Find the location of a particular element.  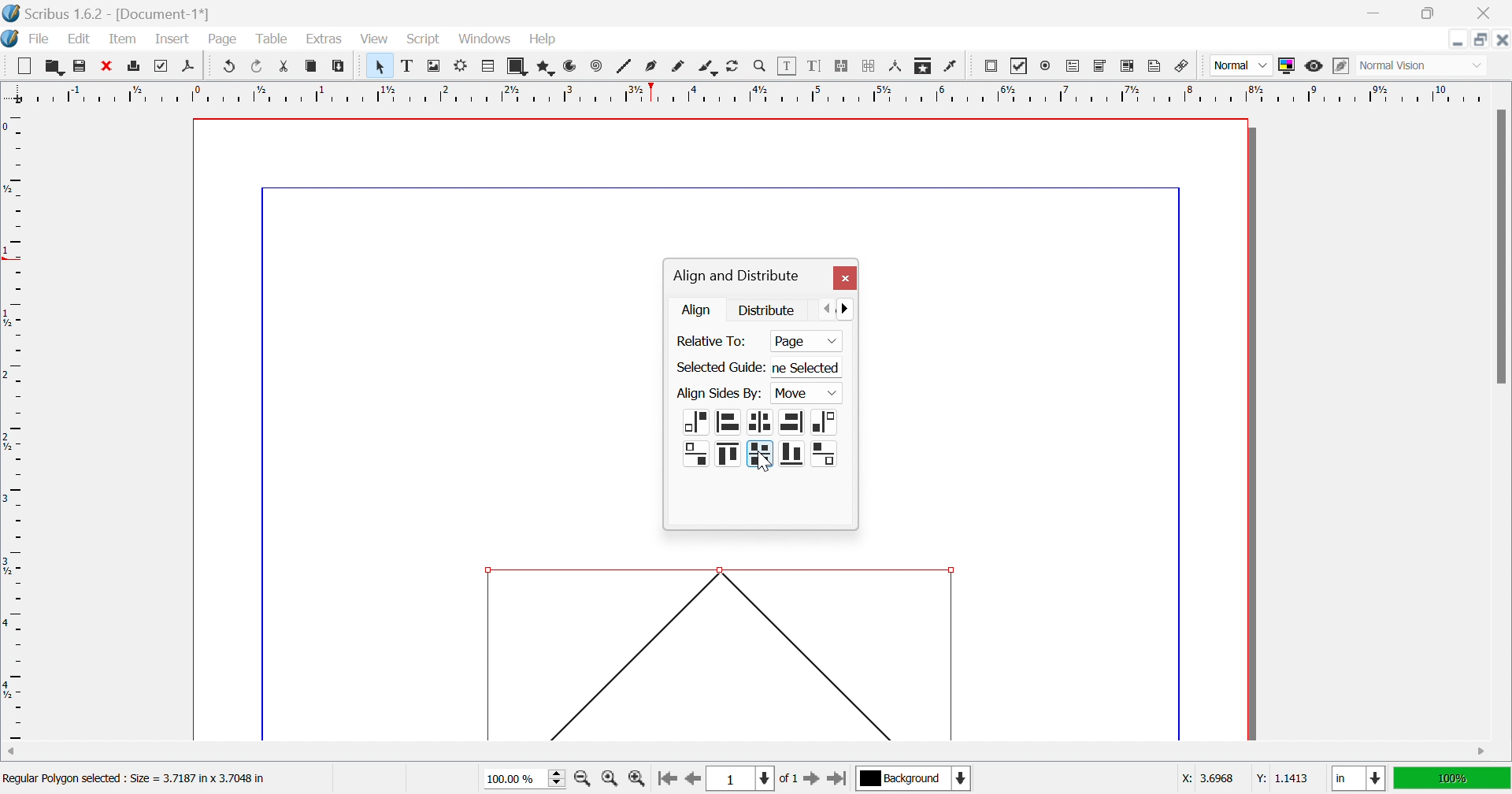

Go to the first page is located at coordinates (666, 783).